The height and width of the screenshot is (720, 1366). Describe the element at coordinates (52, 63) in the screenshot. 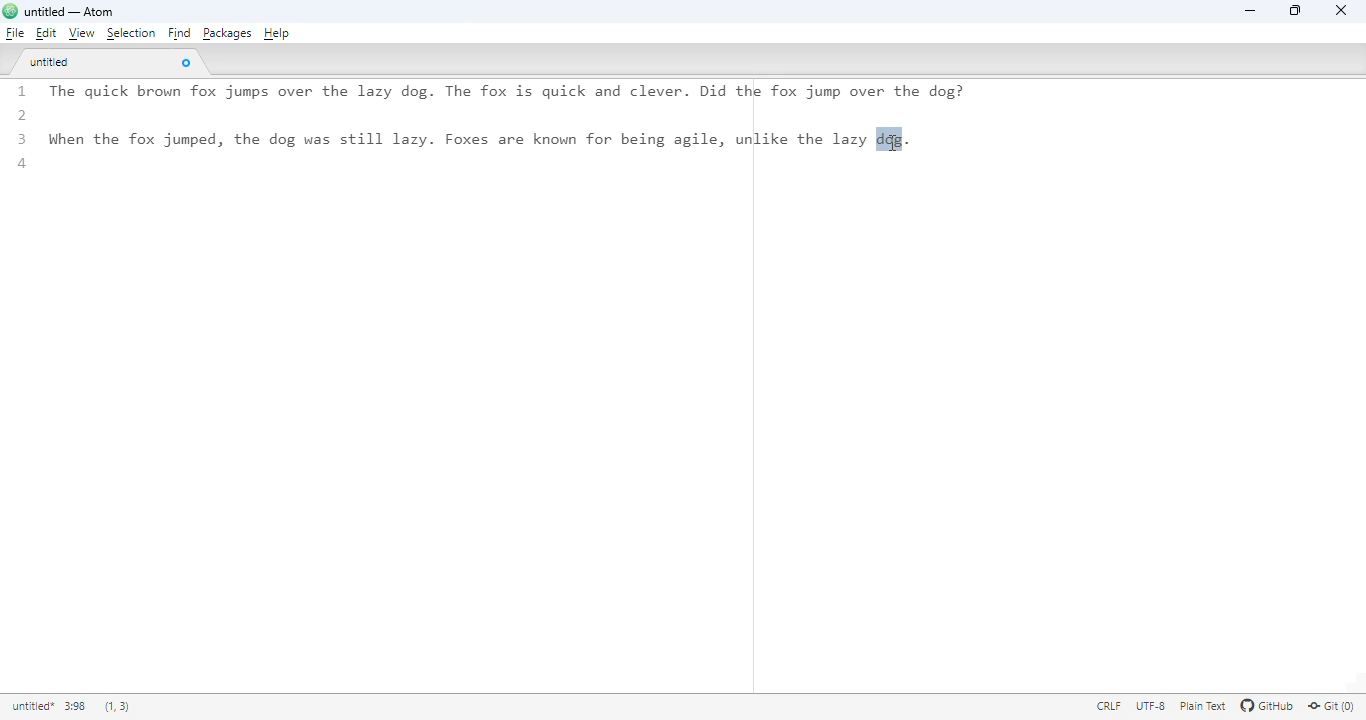

I see `untitled` at that location.